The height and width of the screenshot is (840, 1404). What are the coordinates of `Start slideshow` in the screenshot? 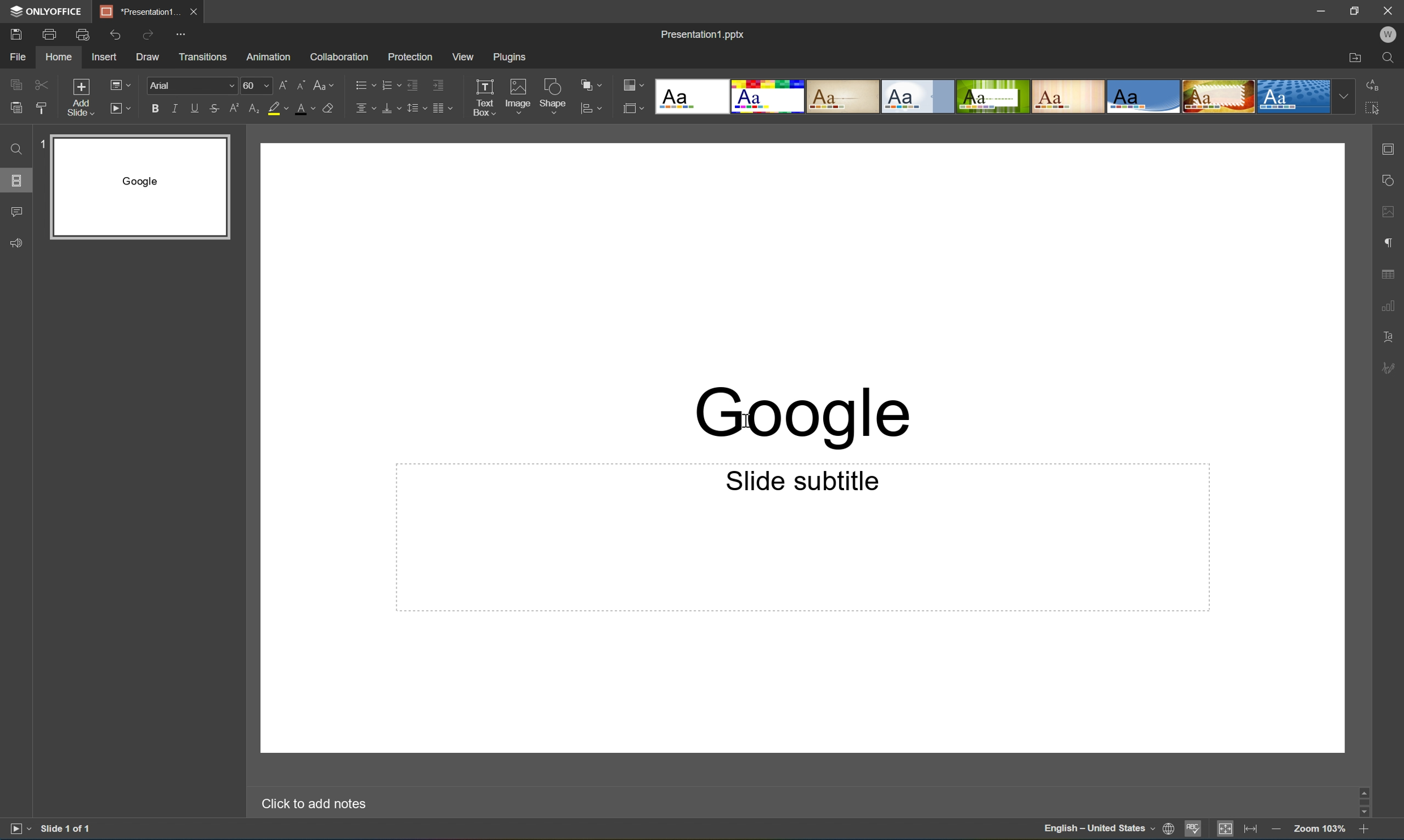 It's located at (16, 832).